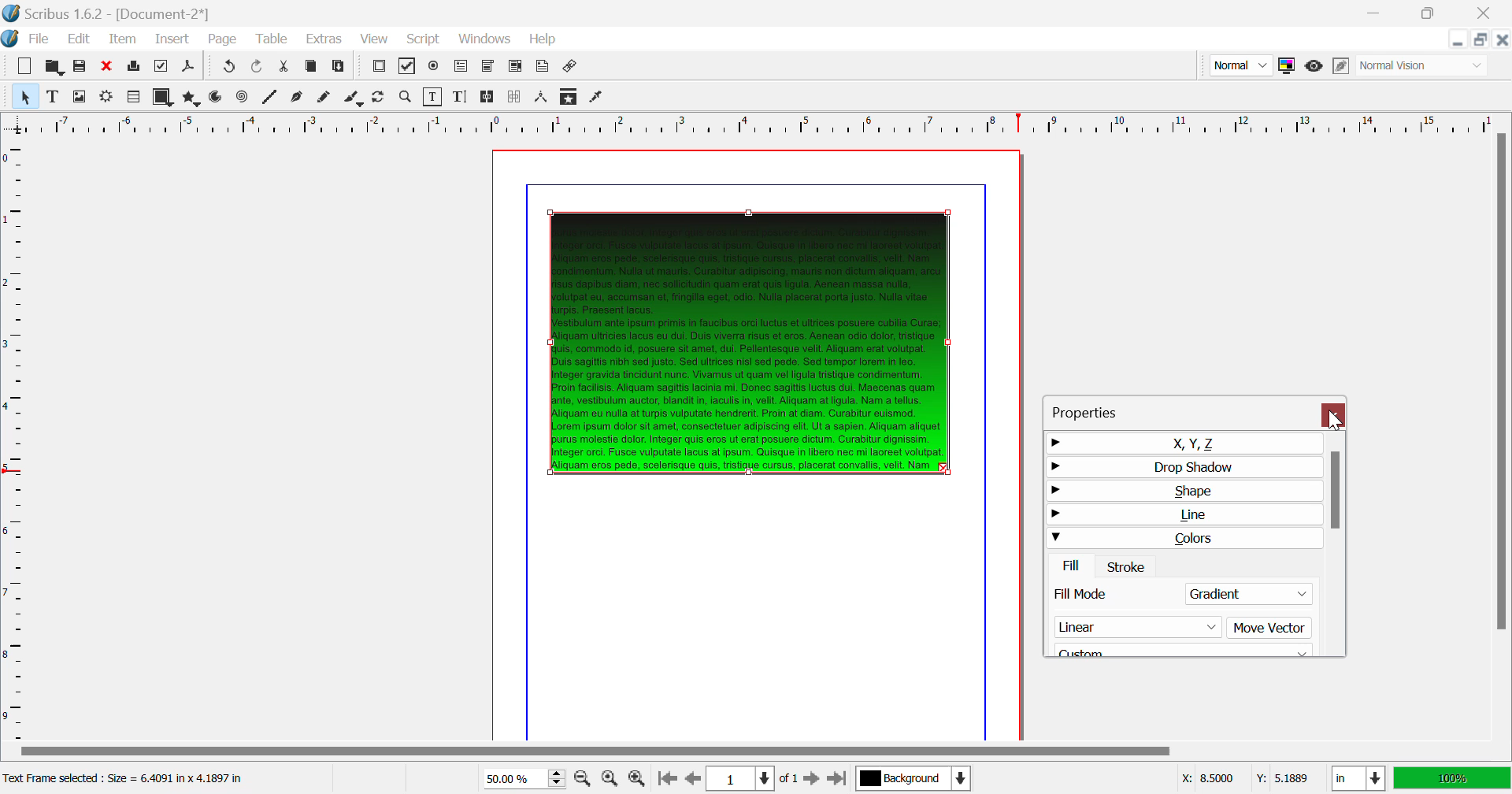  Describe the element at coordinates (544, 39) in the screenshot. I see `Help` at that location.